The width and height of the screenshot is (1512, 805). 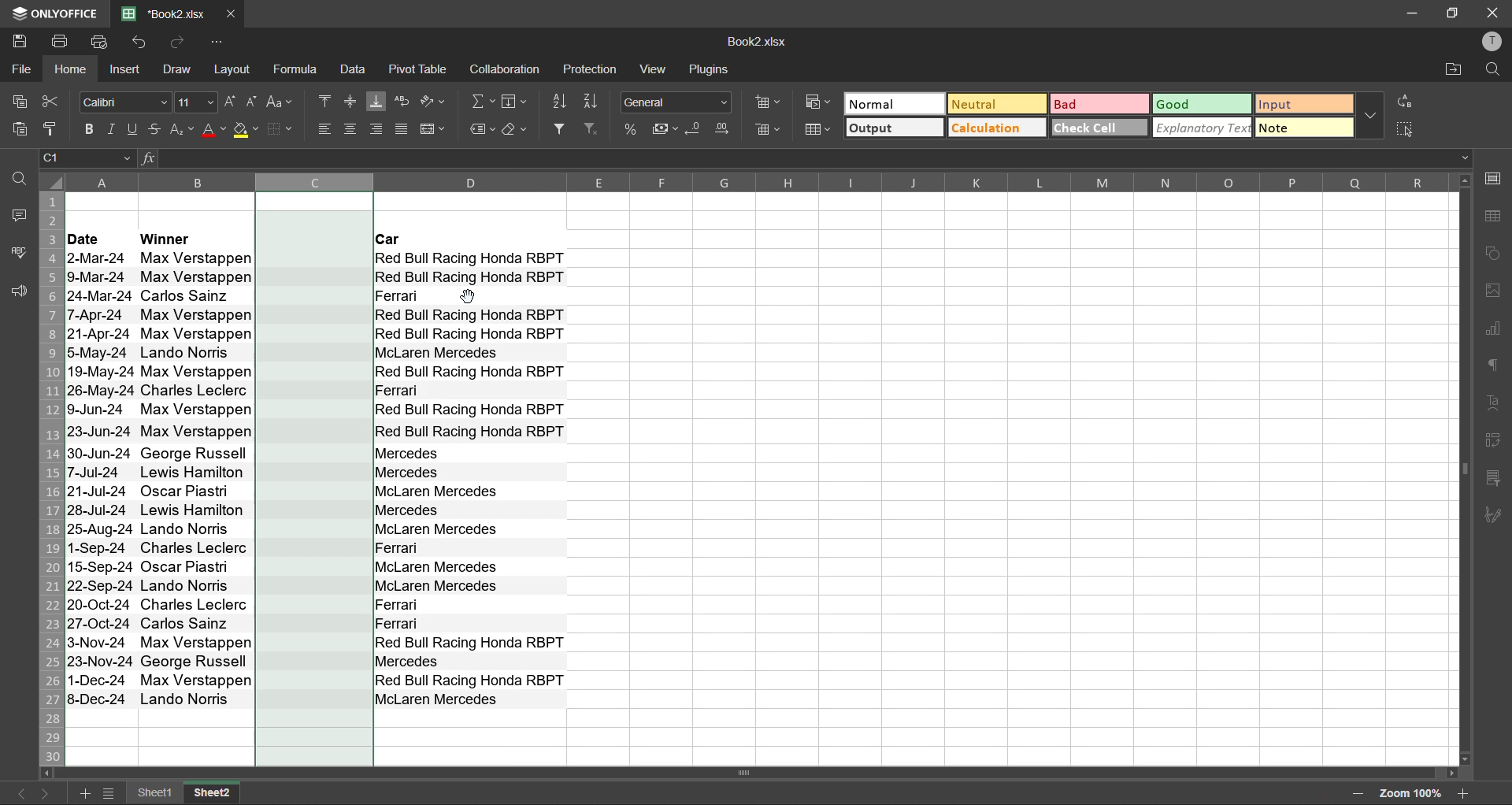 I want to click on Red Bull Racing Honda RBPT
Red Bull Racing Honda RBPT
Ferrari

Red Bull Racing Honda RBPT
Red Bull Racing Honda RBPT
McLaren Mercedes

Red Bull Racing Honda RBPT
Ferrari

Red Bull Racing Honda RBPT
Red Bull Racing Honda RBPT
Mercedes

Mercedes

McLaren Mercedes

Mercedes

McLaren Mercedes

Ferrari

McLaren Mercedes

McLaren Mercedes

Ferrari

Ferrari

Red Bull Racing Honda RBPT
Mercedes

Red Bull Racing Honda RBPT
McLaren Mercedes, so click(x=470, y=482).